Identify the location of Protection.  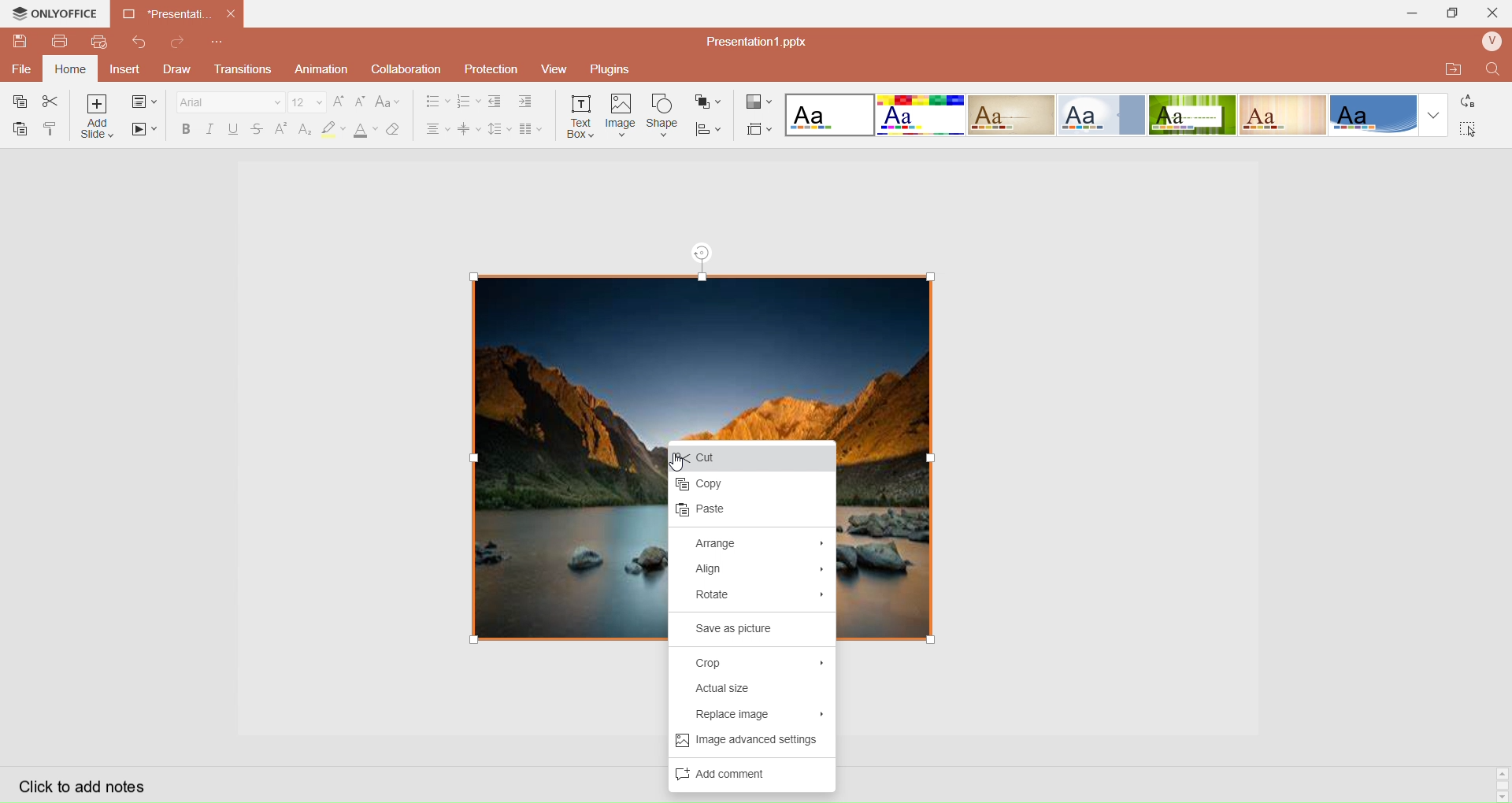
(493, 69).